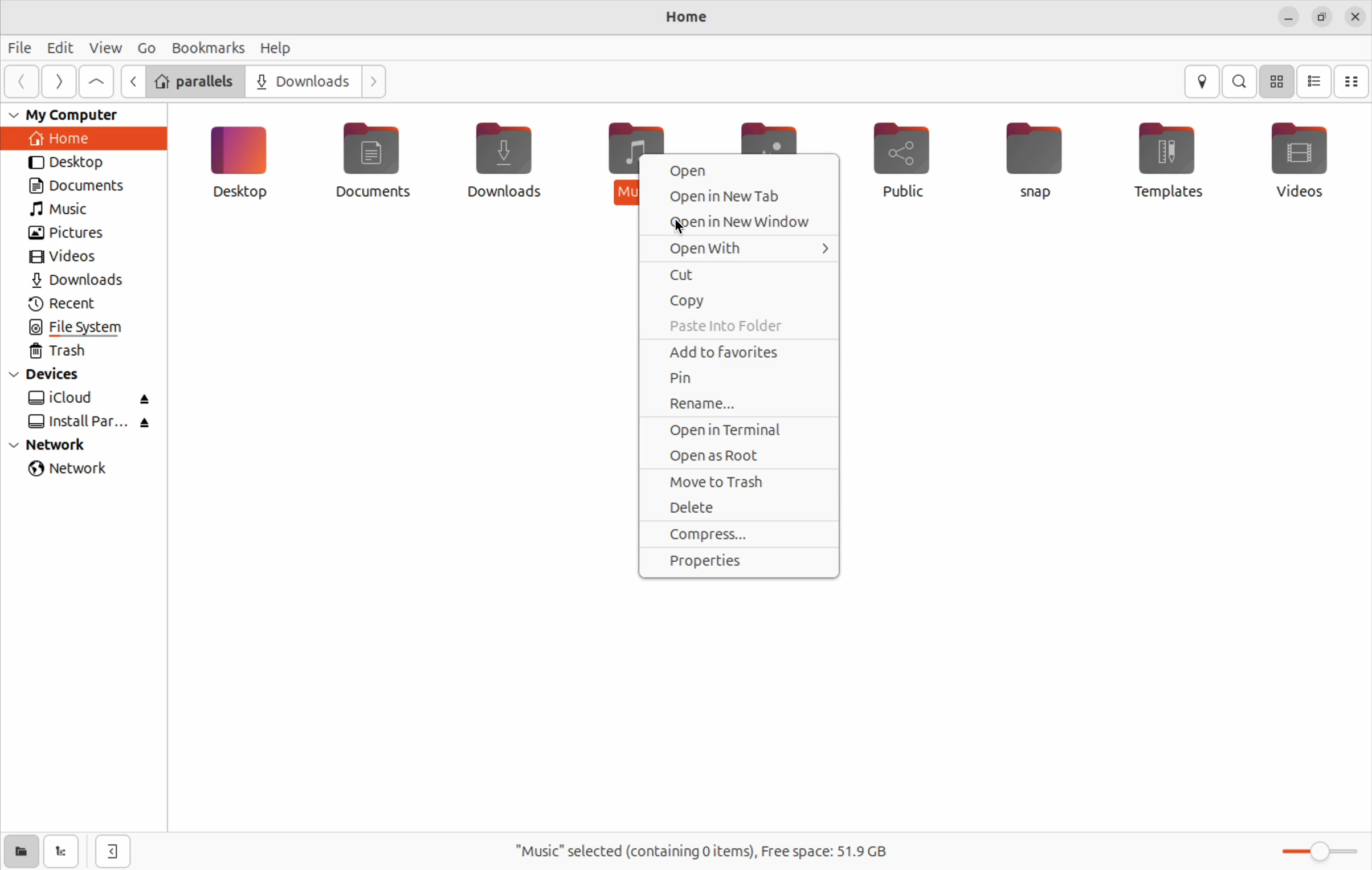  Describe the element at coordinates (56, 81) in the screenshot. I see `next` at that location.